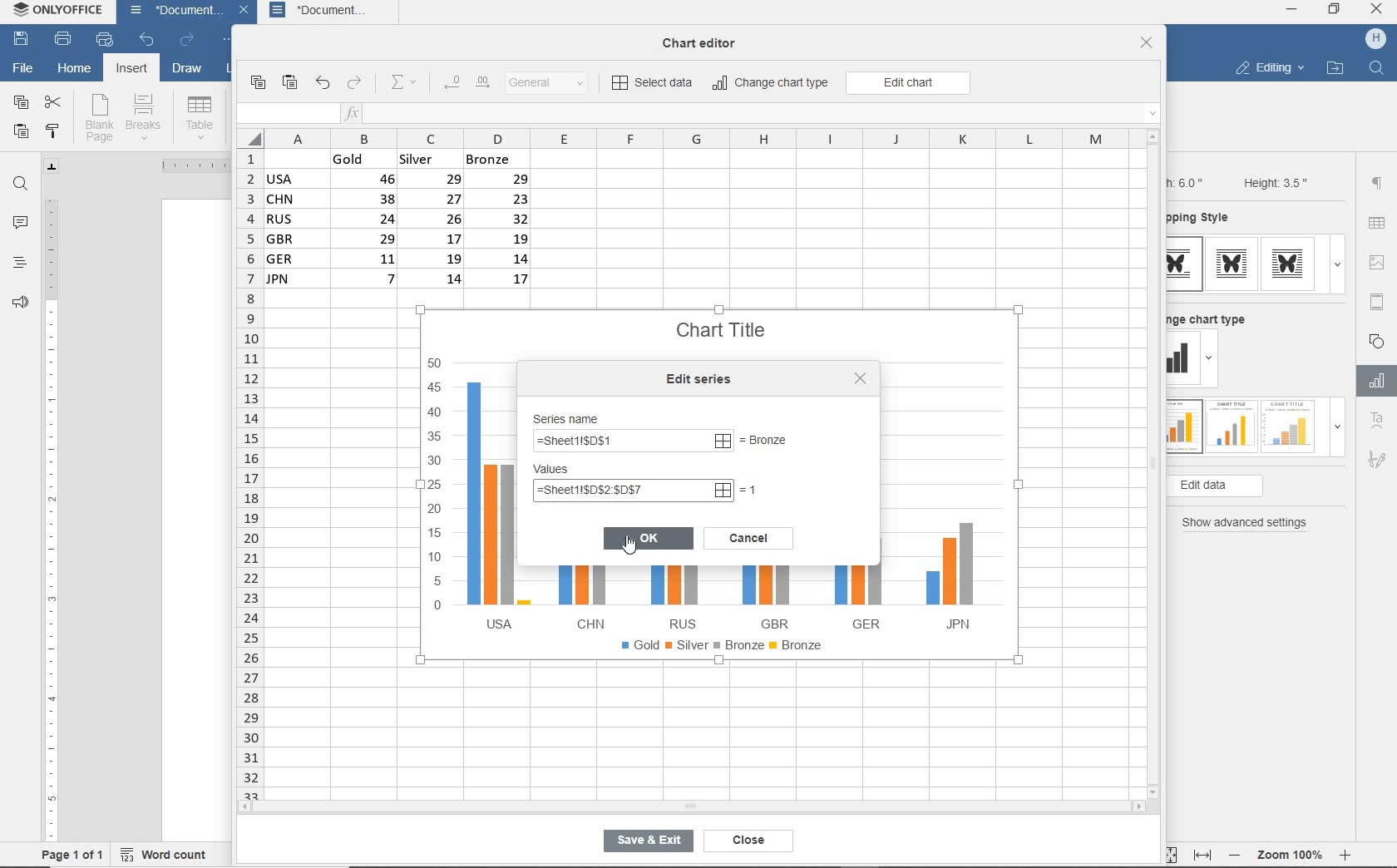 This screenshot has width=1397, height=868. I want to click on document, so click(332, 12).